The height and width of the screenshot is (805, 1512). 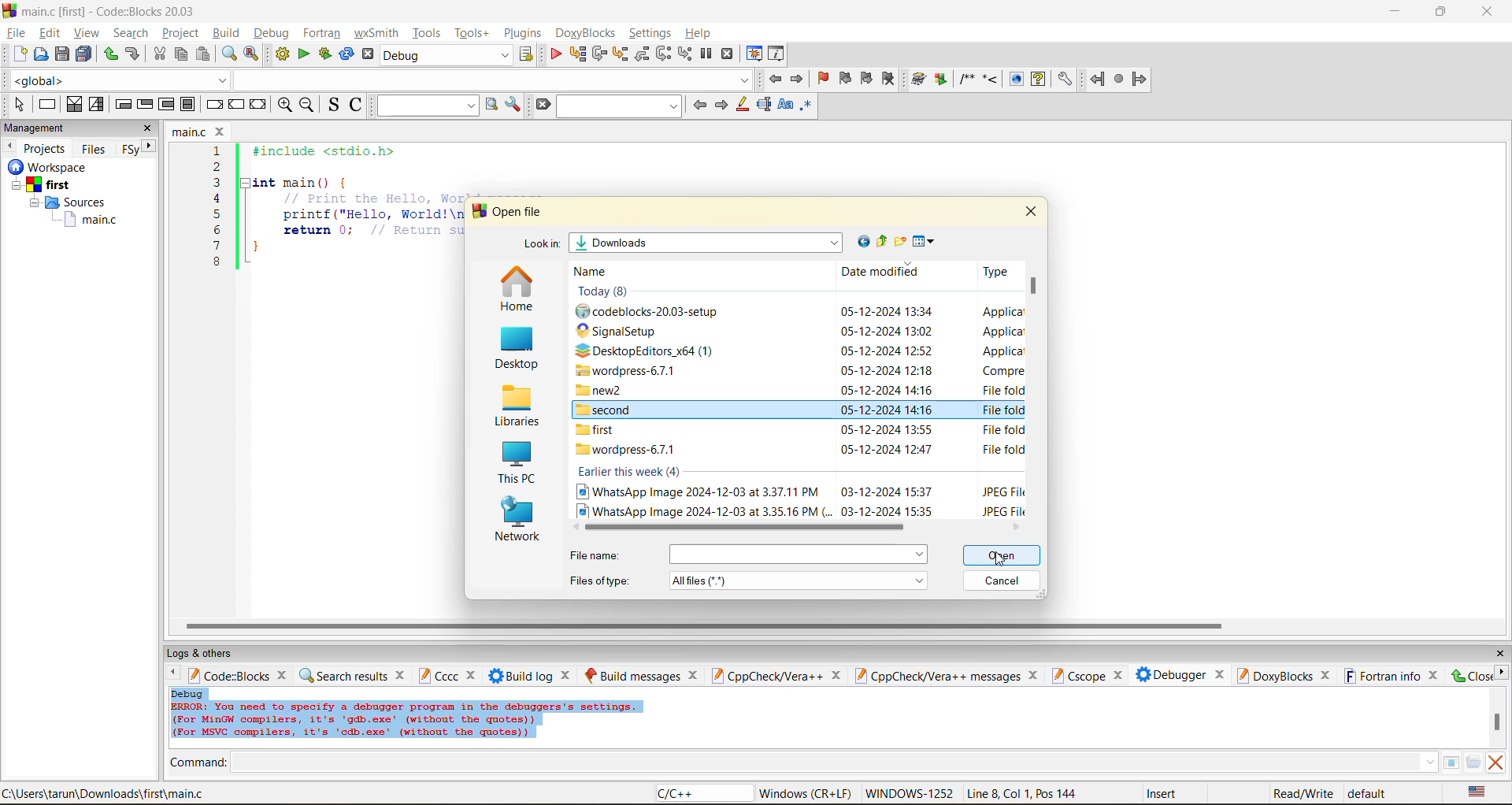 What do you see at coordinates (259, 106) in the screenshot?
I see `return instruction` at bounding box center [259, 106].